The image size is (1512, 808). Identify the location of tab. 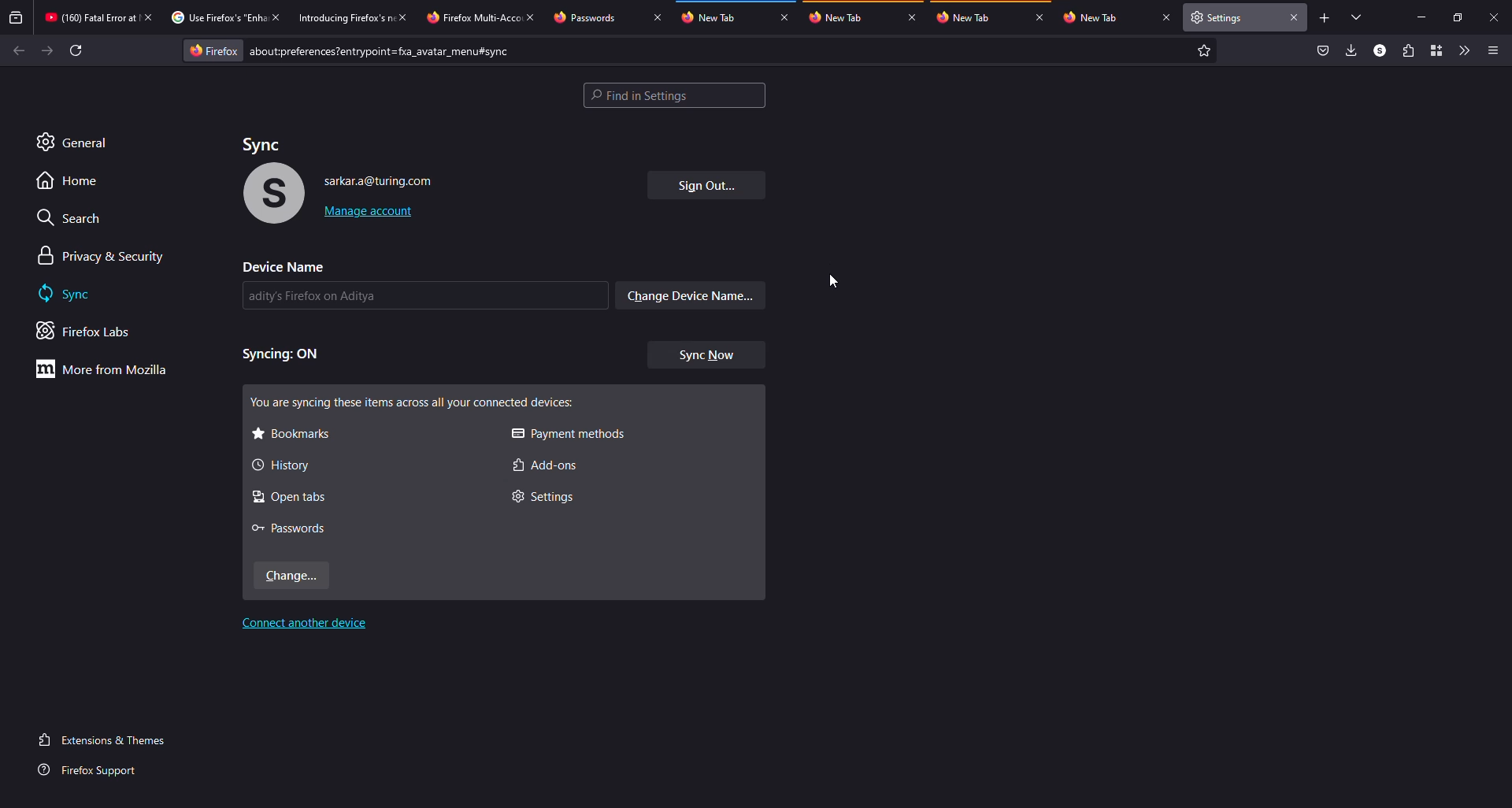
(723, 18).